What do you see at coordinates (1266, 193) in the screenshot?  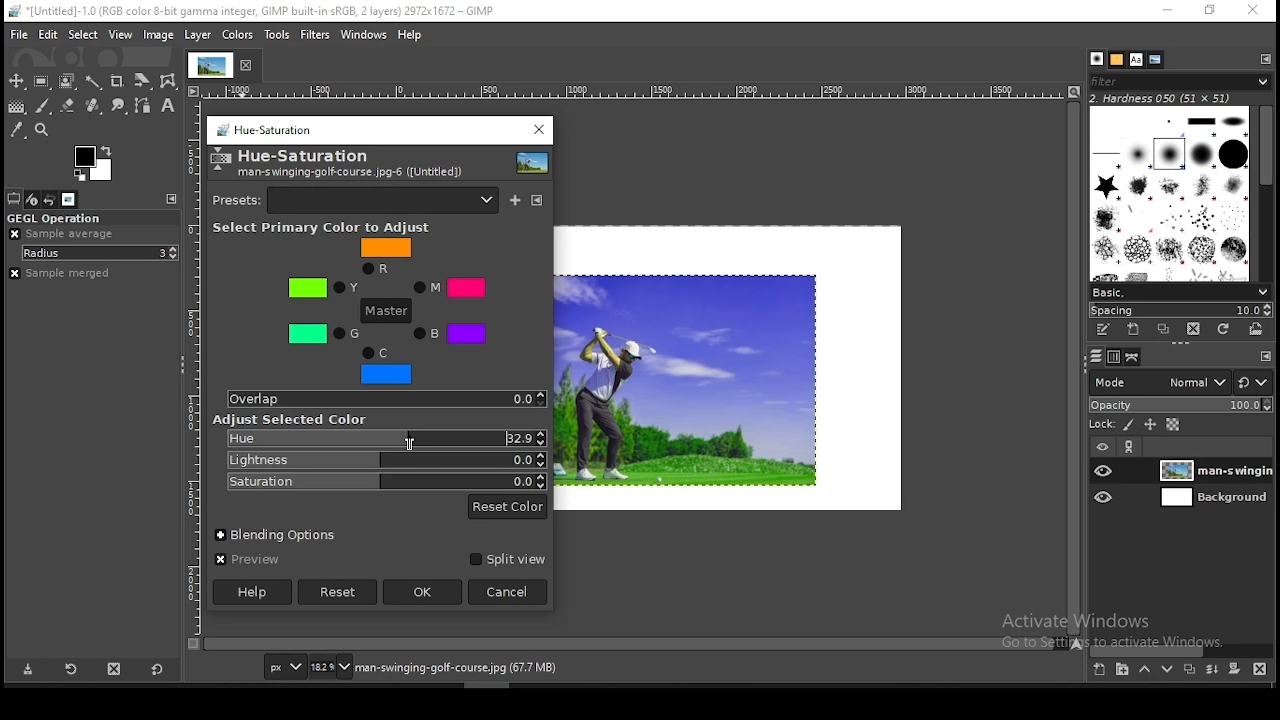 I see `scroll bar` at bounding box center [1266, 193].